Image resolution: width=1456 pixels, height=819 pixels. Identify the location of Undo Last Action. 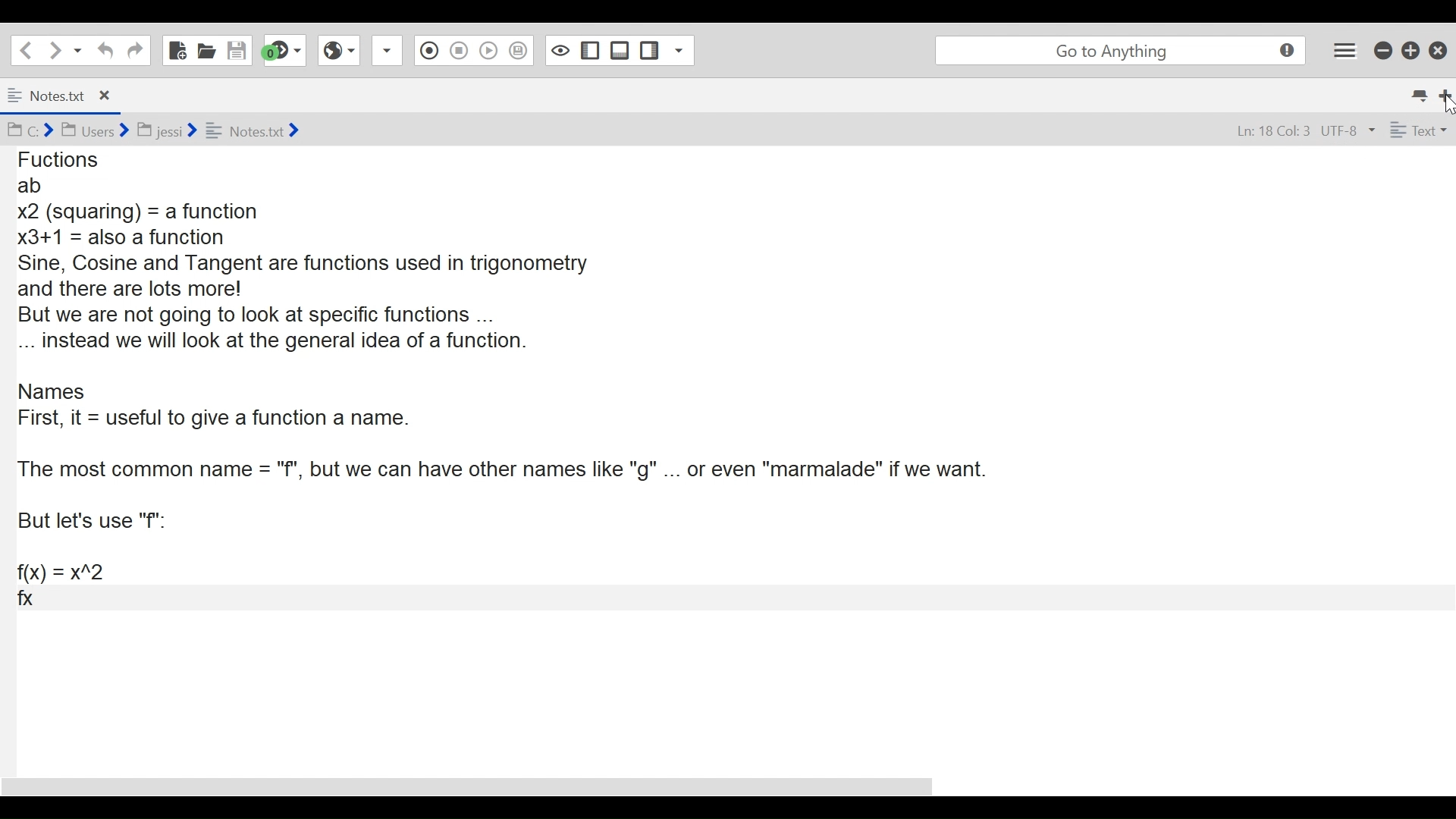
(103, 50).